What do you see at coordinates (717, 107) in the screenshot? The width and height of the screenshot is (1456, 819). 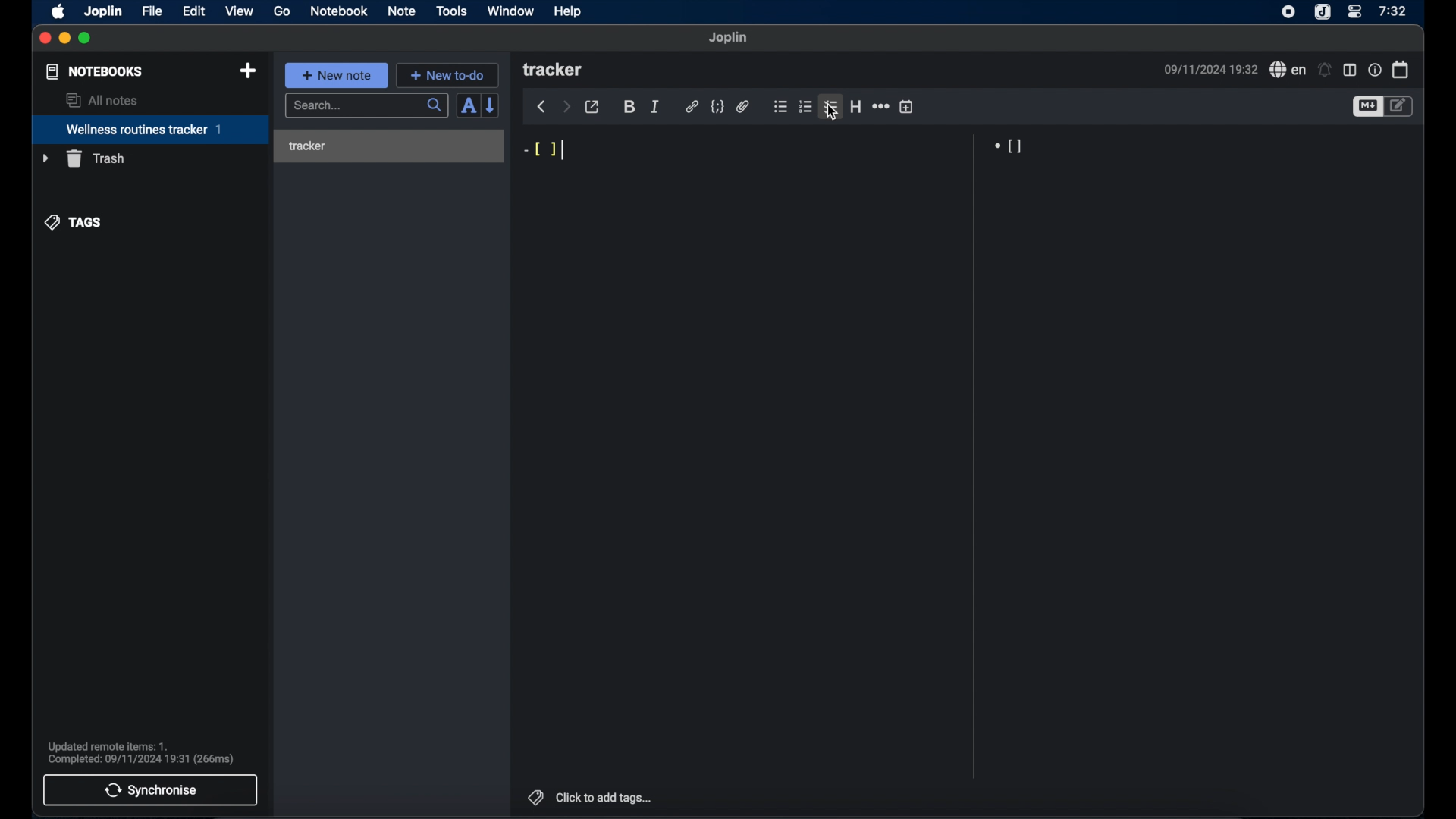 I see `code` at bounding box center [717, 107].